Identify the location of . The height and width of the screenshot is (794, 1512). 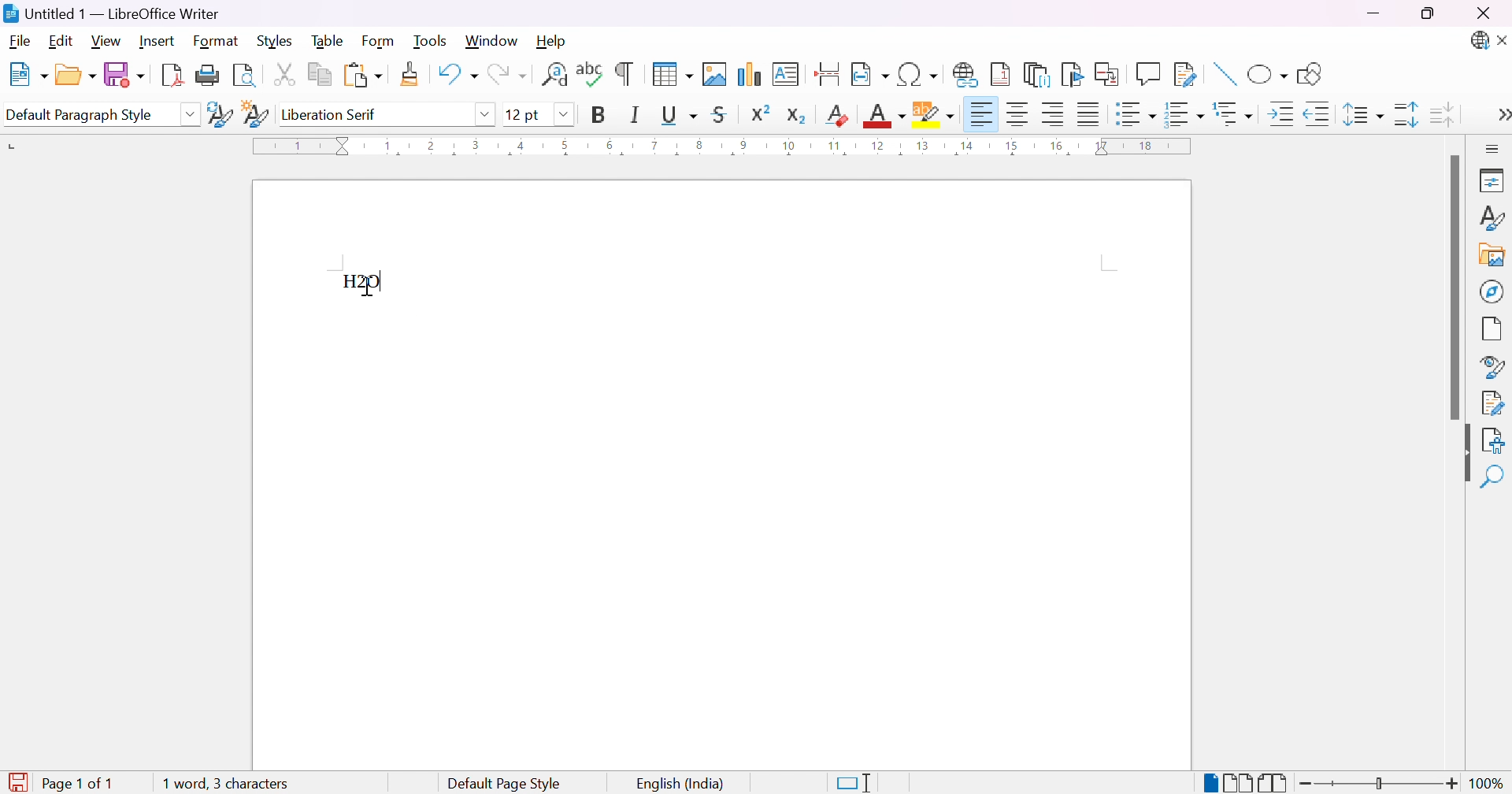
(409, 74).